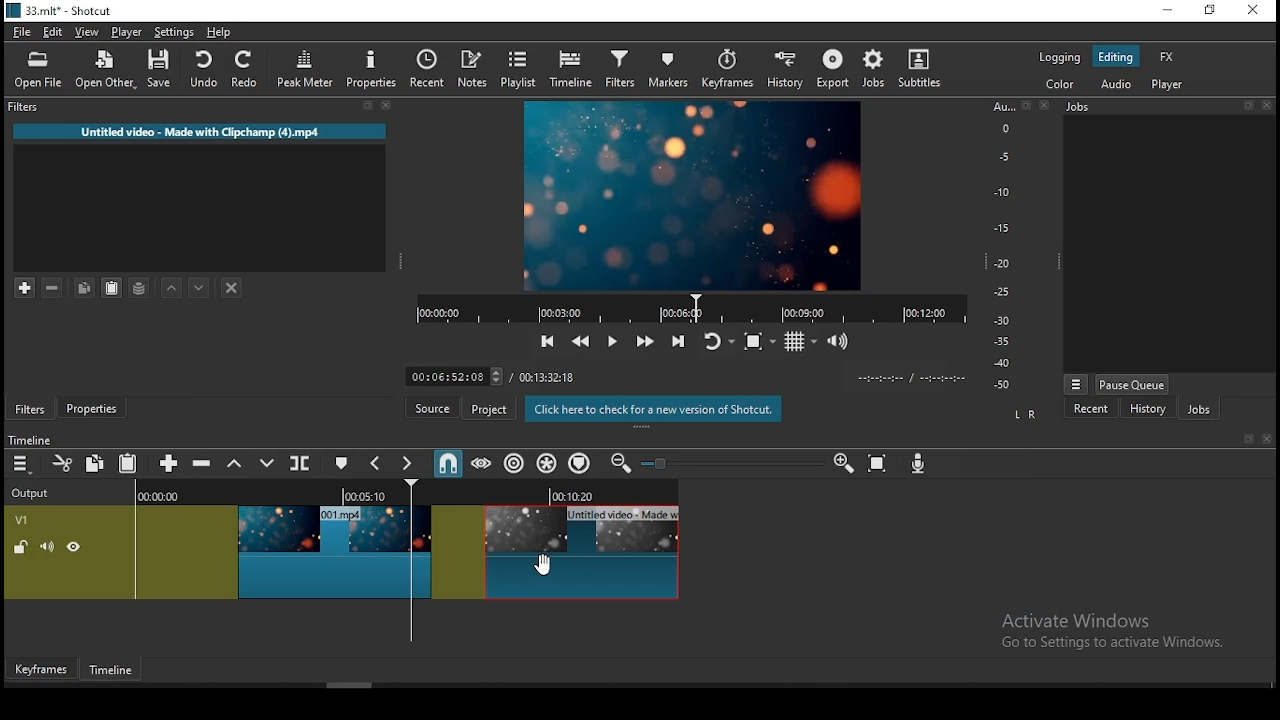 Image resolution: width=1280 pixels, height=720 pixels. I want to click on play quickly forward, so click(641, 338).